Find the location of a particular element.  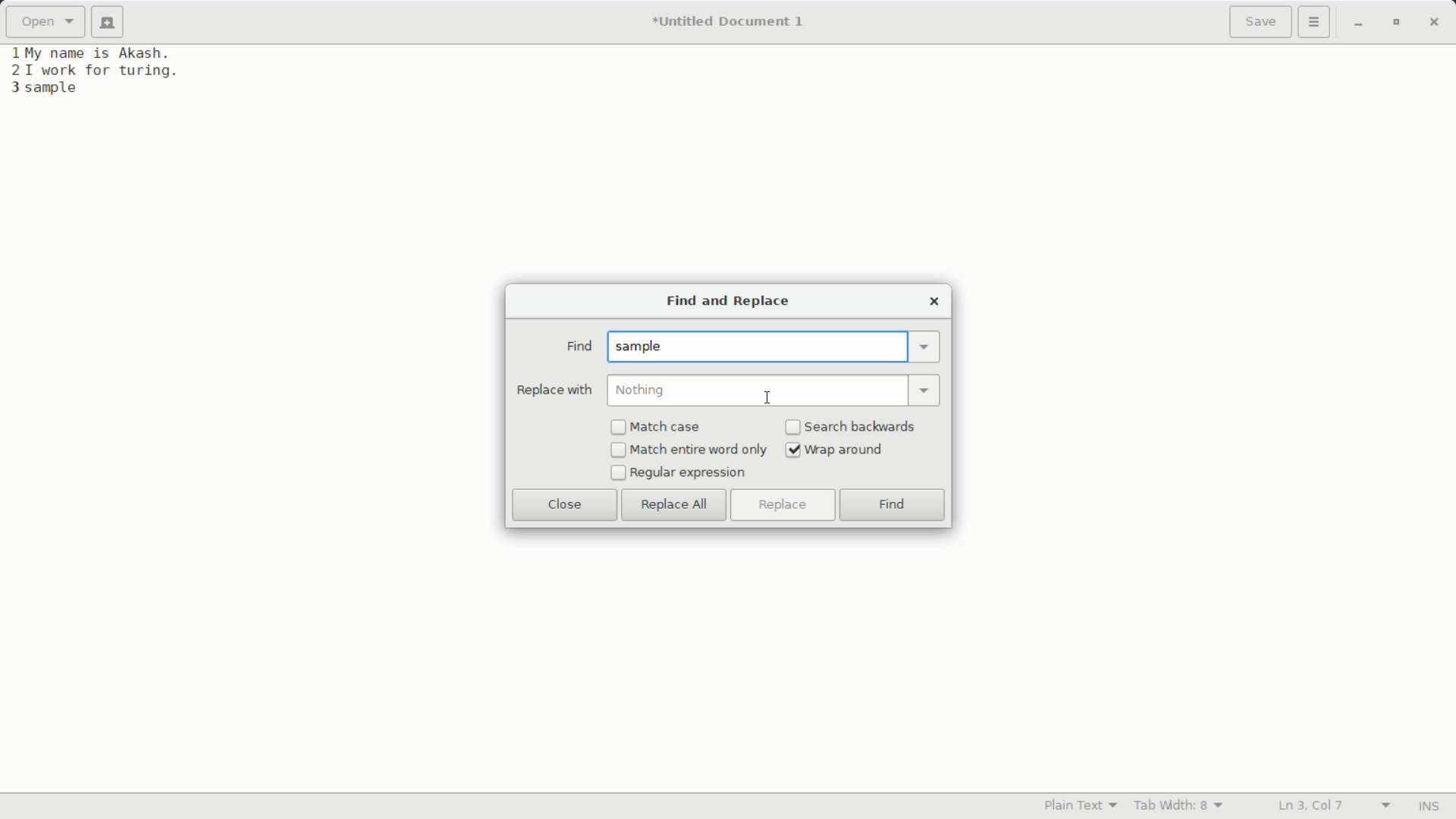

minimize is located at coordinates (1358, 24).